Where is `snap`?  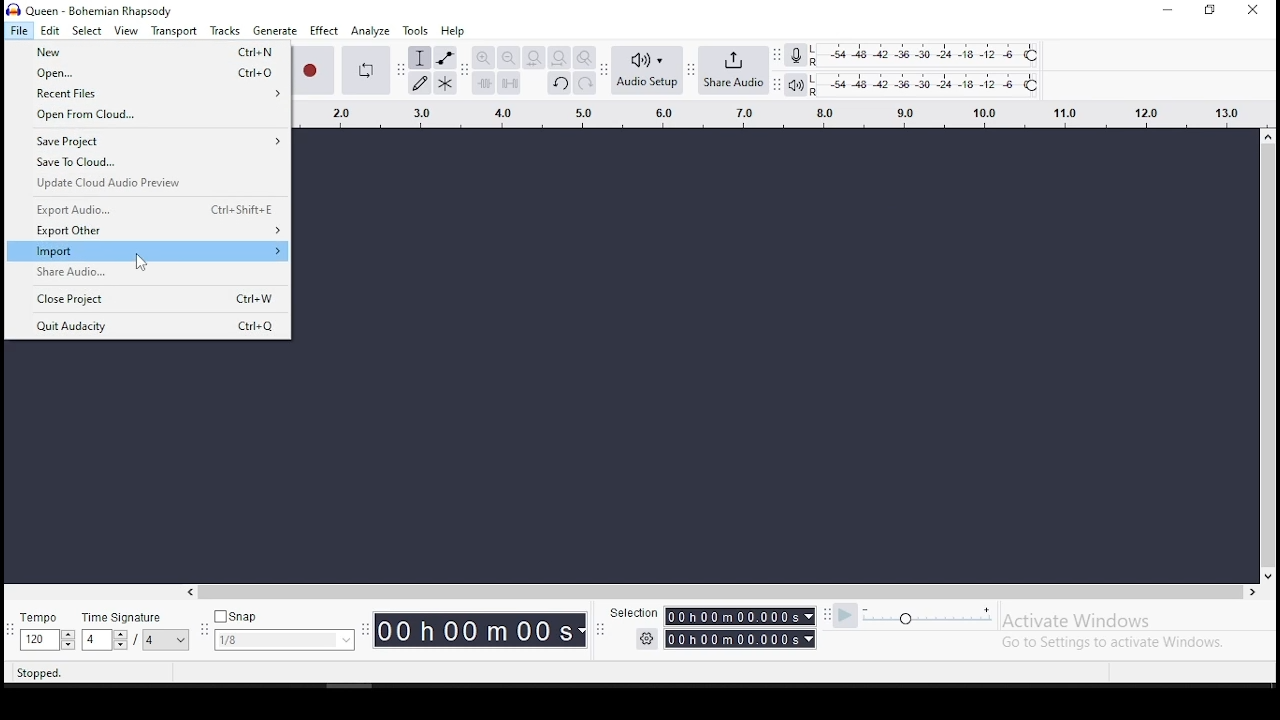
snap is located at coordinates (285, 631).